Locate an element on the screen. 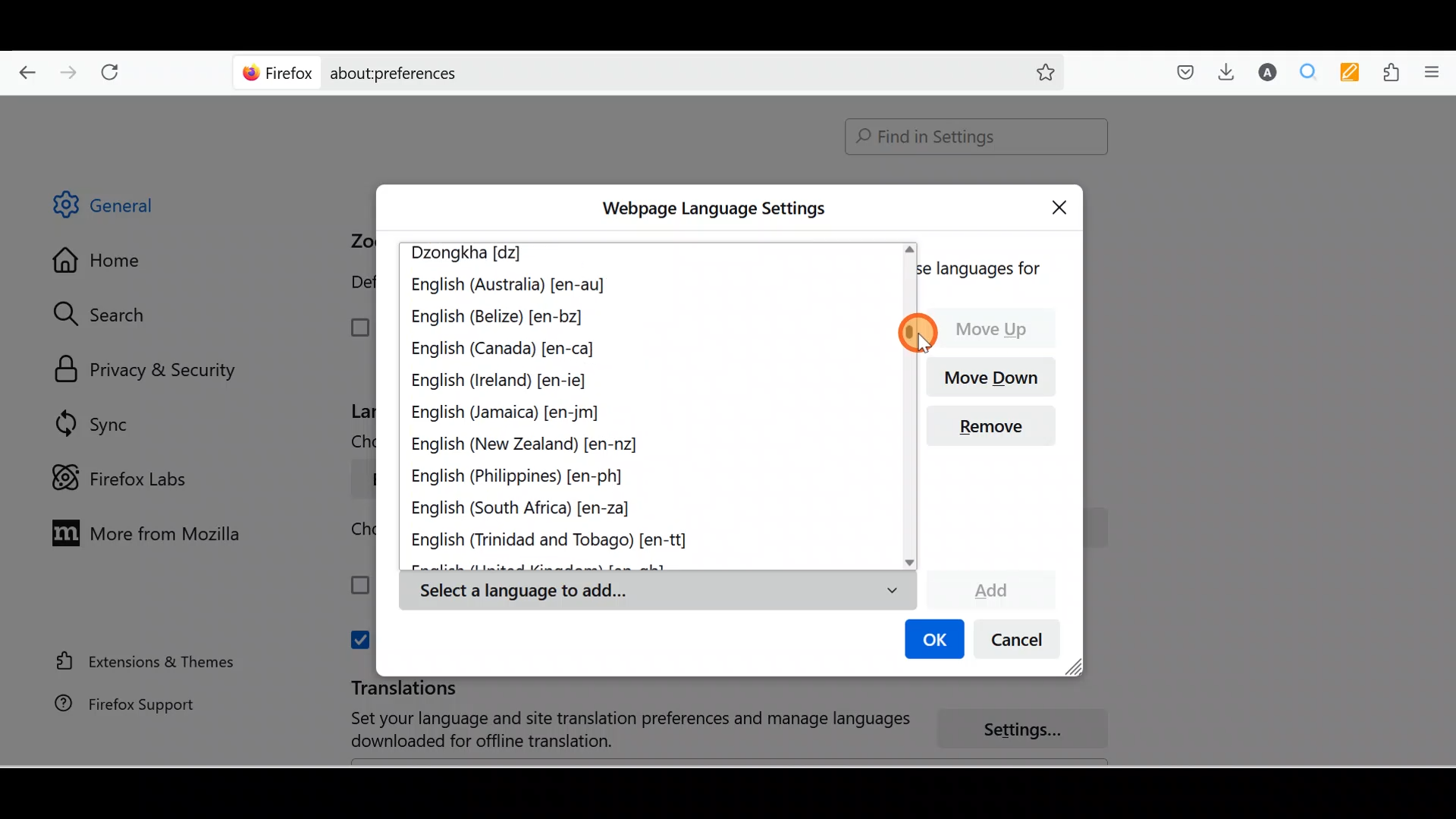 This screenshot has height=819, width=1456. Go back one page is located at coordinates (21, 68).